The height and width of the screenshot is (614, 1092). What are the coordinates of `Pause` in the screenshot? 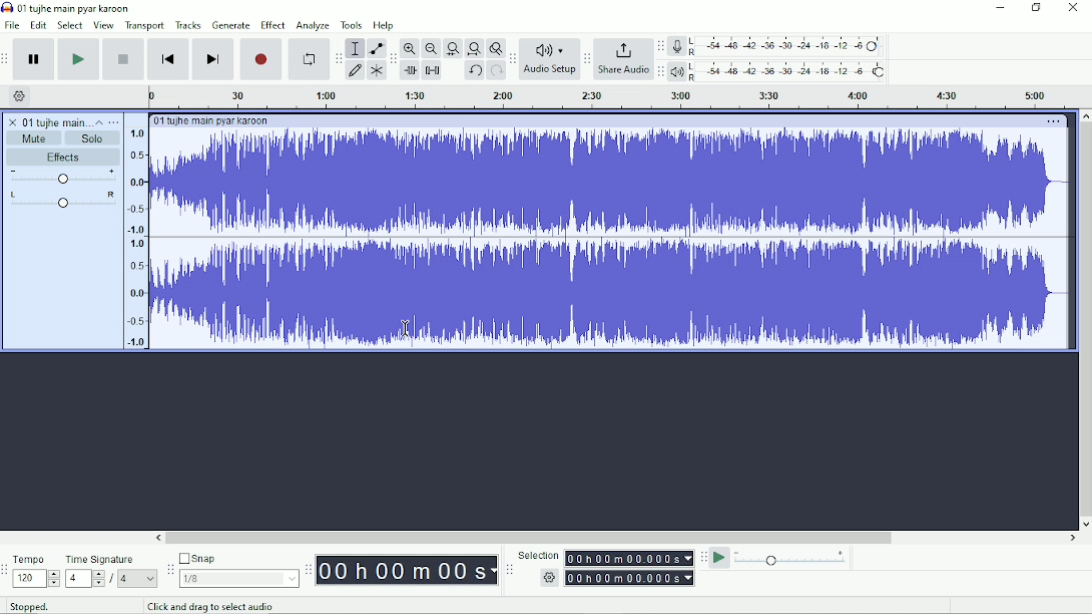 It's located at (34, 60).